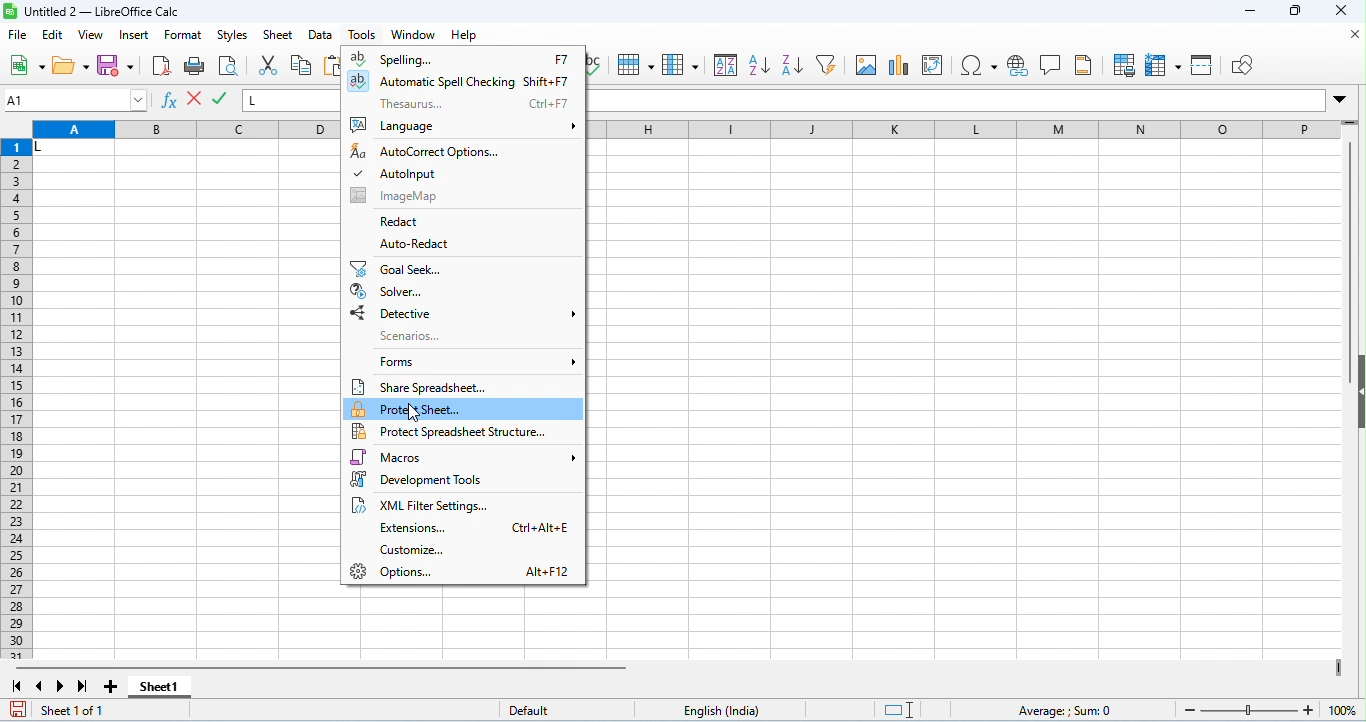 The height and width of the screenshot is (722, 1366). I want to click on sheet 1, so click(158, 686).